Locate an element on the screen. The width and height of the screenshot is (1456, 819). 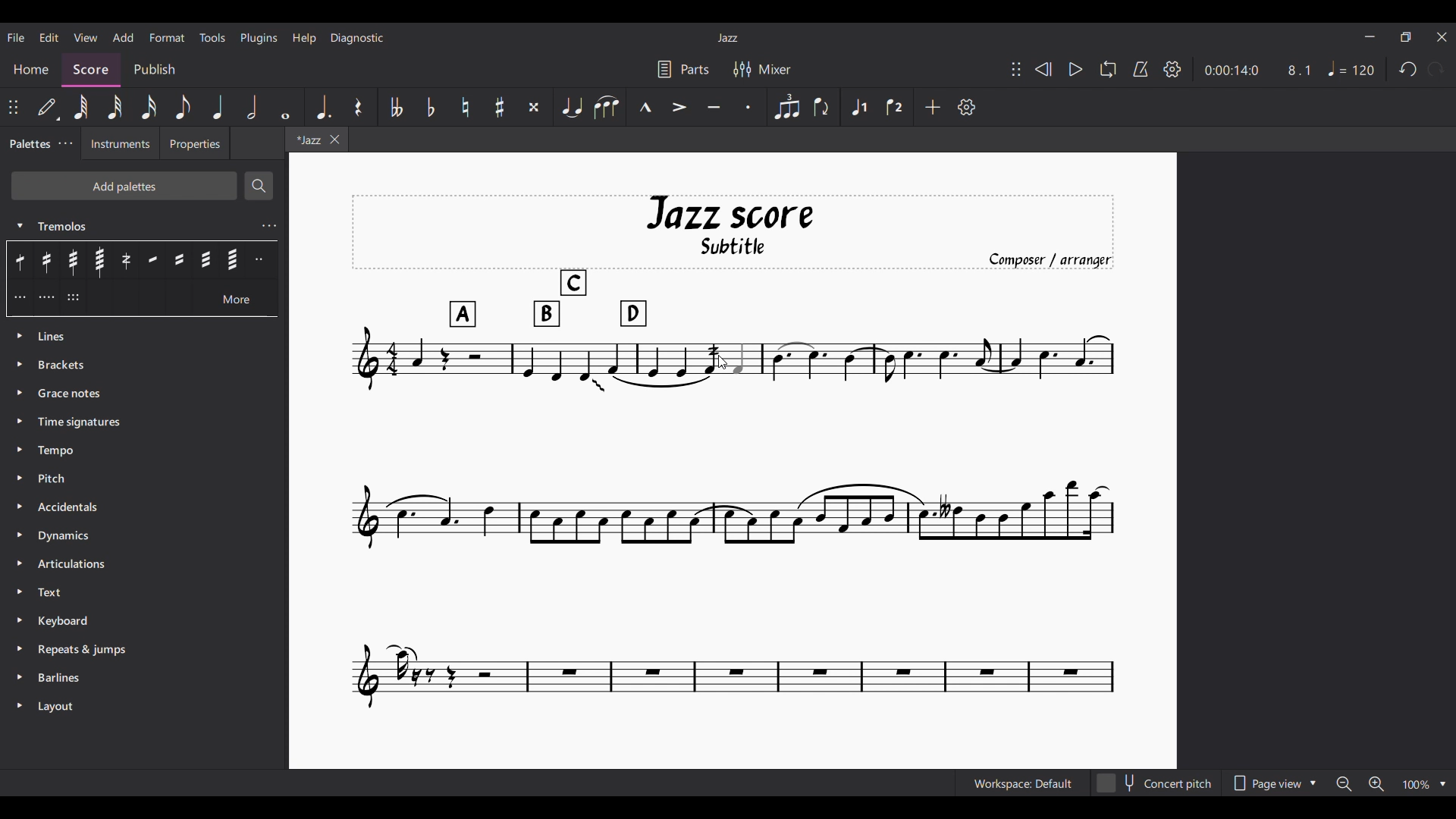
0:00:14:0 is located at coordinates (1232, 69).